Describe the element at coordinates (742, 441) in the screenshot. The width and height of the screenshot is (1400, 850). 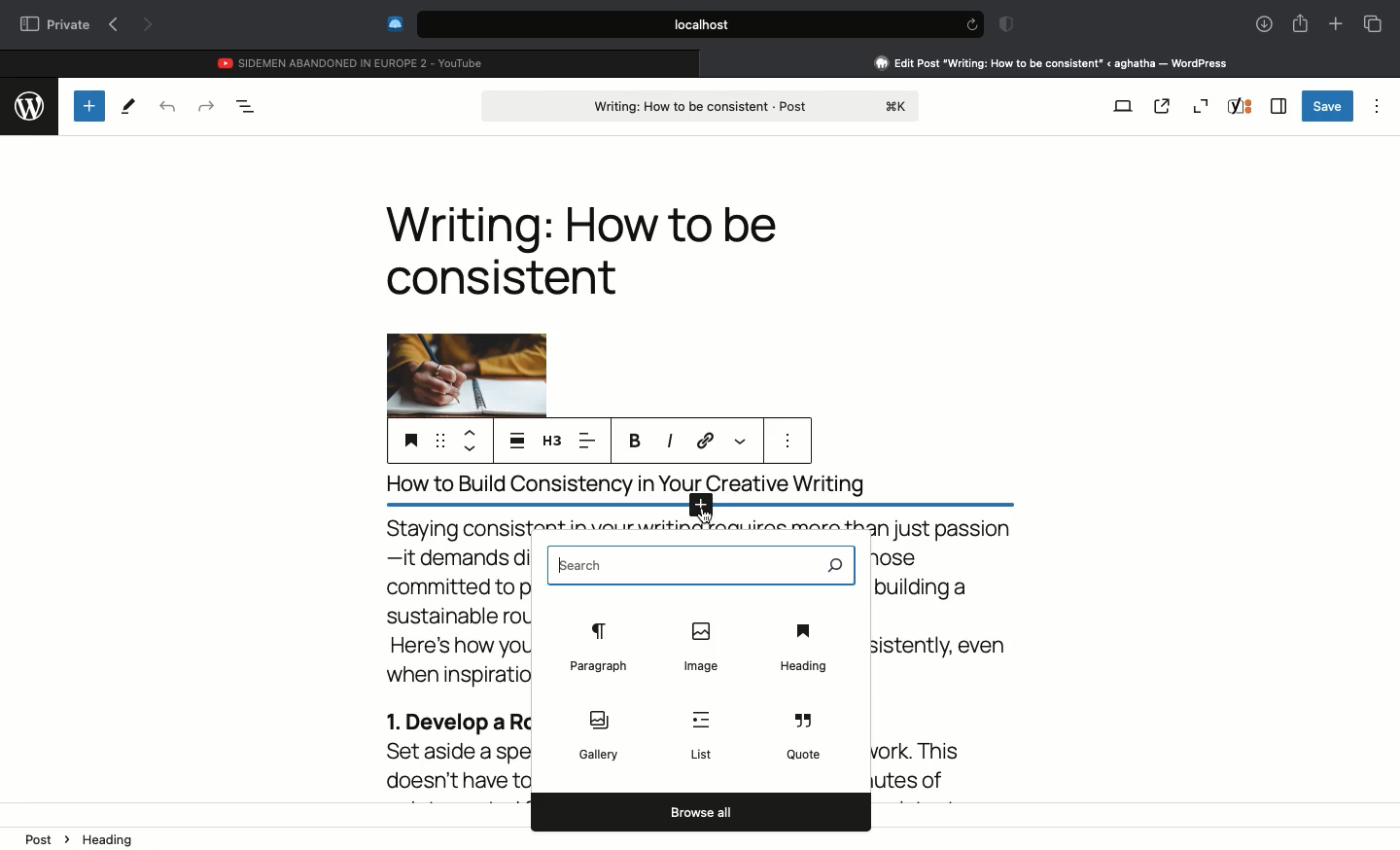
I see `More` at that location.